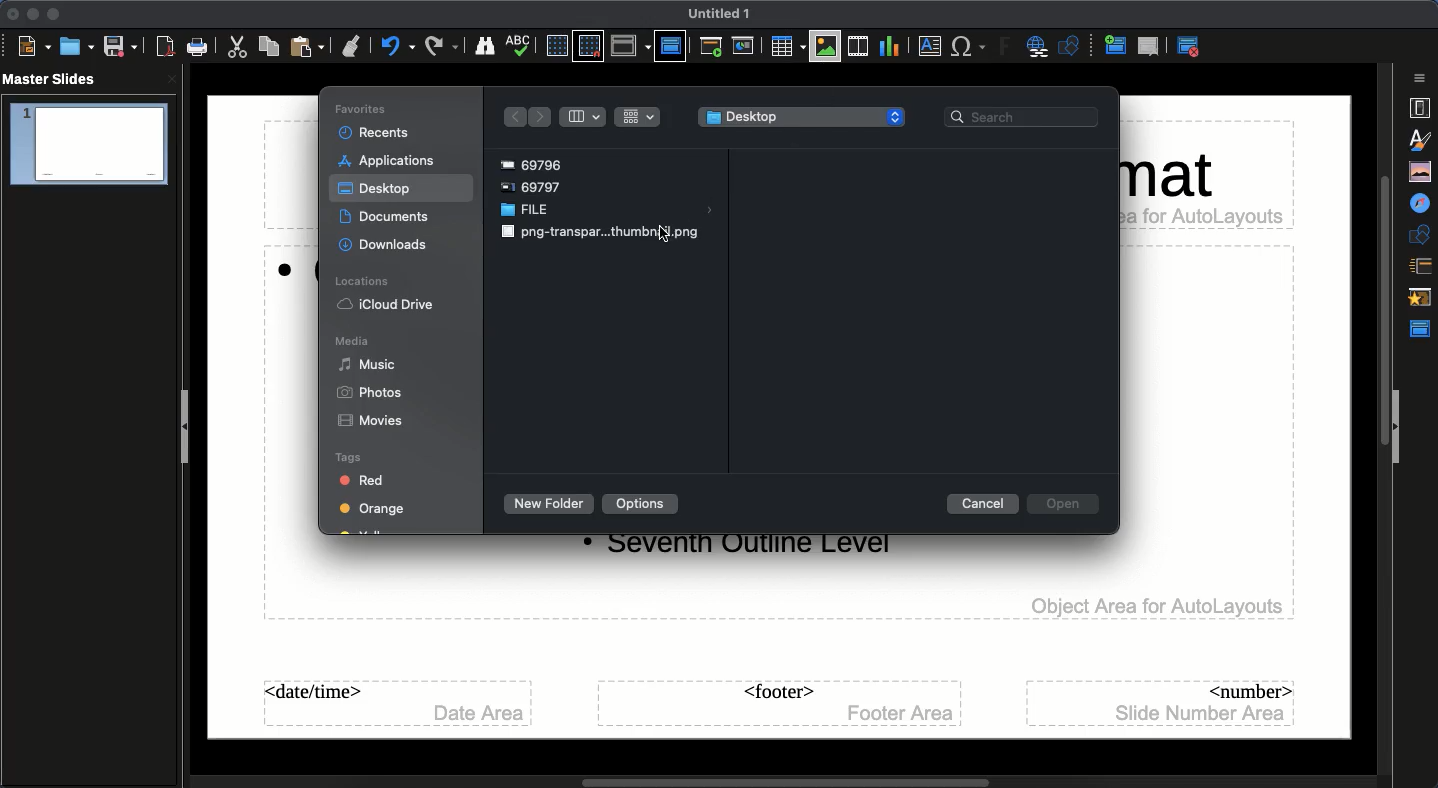 This screenshot has height=788, width=1438. What do you see at coordinates (519, 44) in the screenshot?
I see `Spellcheck` at bounding box center [519, 44].